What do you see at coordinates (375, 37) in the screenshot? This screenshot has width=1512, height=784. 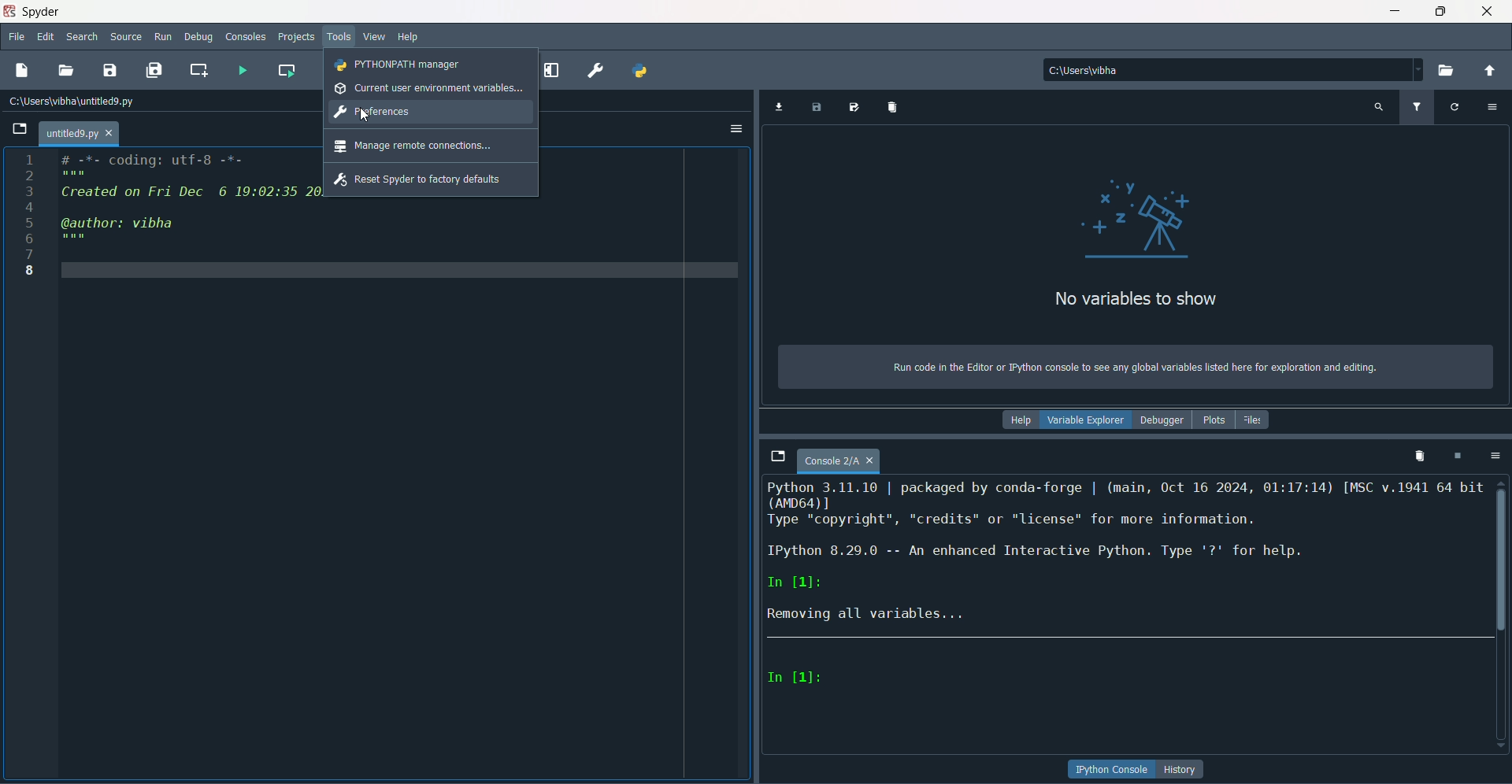 I see `view` at bounding box center [375, 37].